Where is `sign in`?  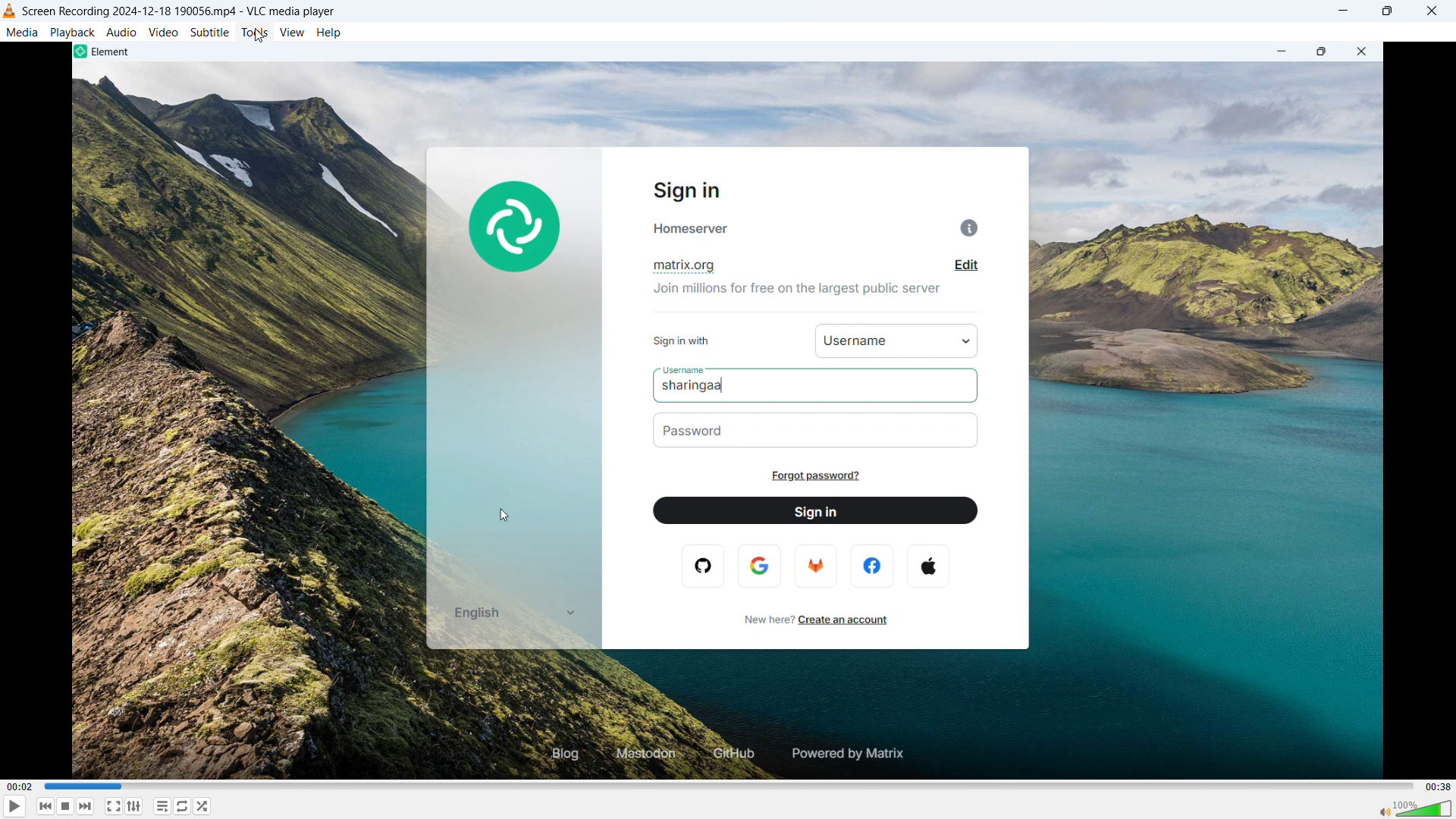 sign in is located at coordinates (817, 510).